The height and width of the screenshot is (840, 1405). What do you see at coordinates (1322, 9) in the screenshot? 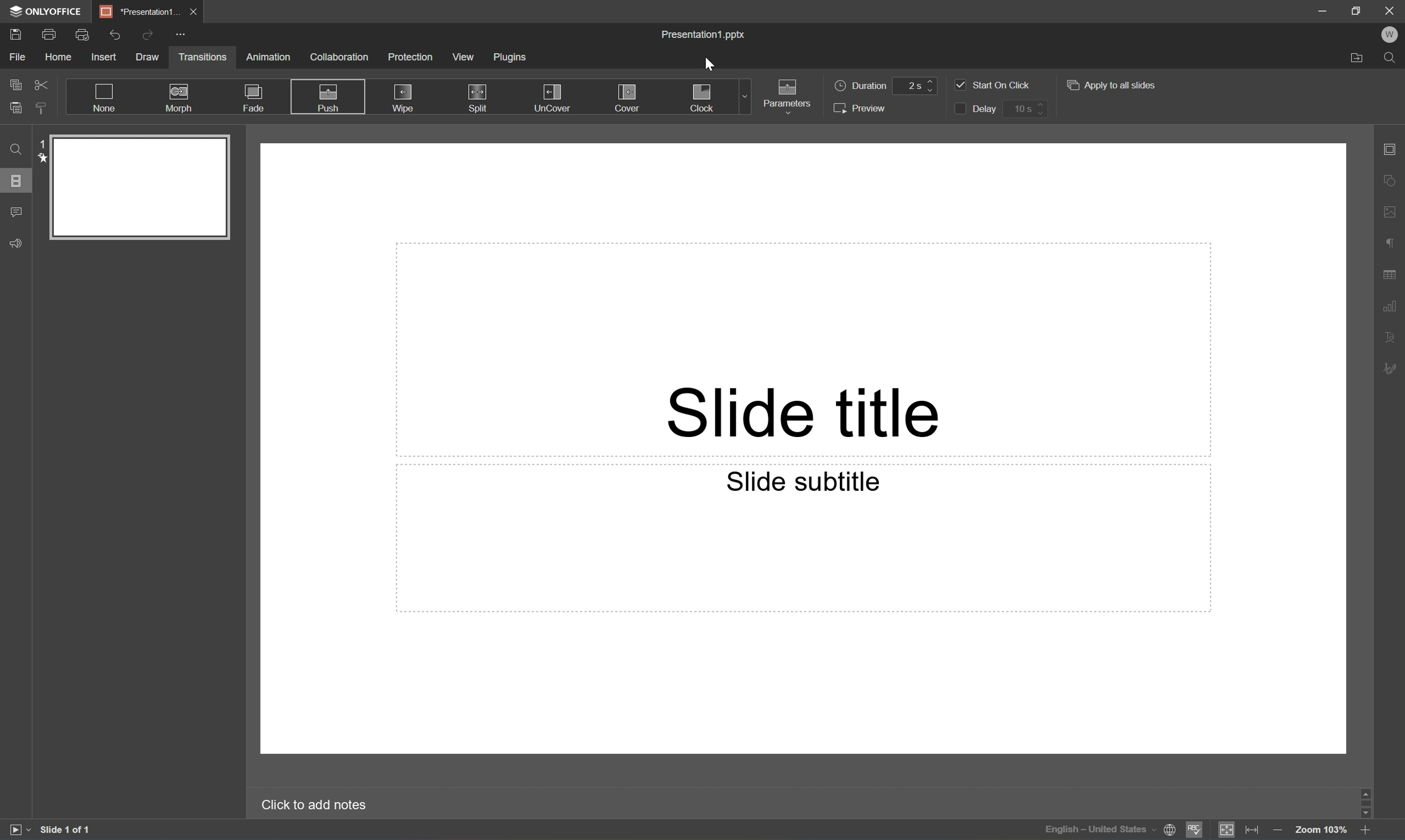
I see `Minimize` at bounding box center [1322, 9].